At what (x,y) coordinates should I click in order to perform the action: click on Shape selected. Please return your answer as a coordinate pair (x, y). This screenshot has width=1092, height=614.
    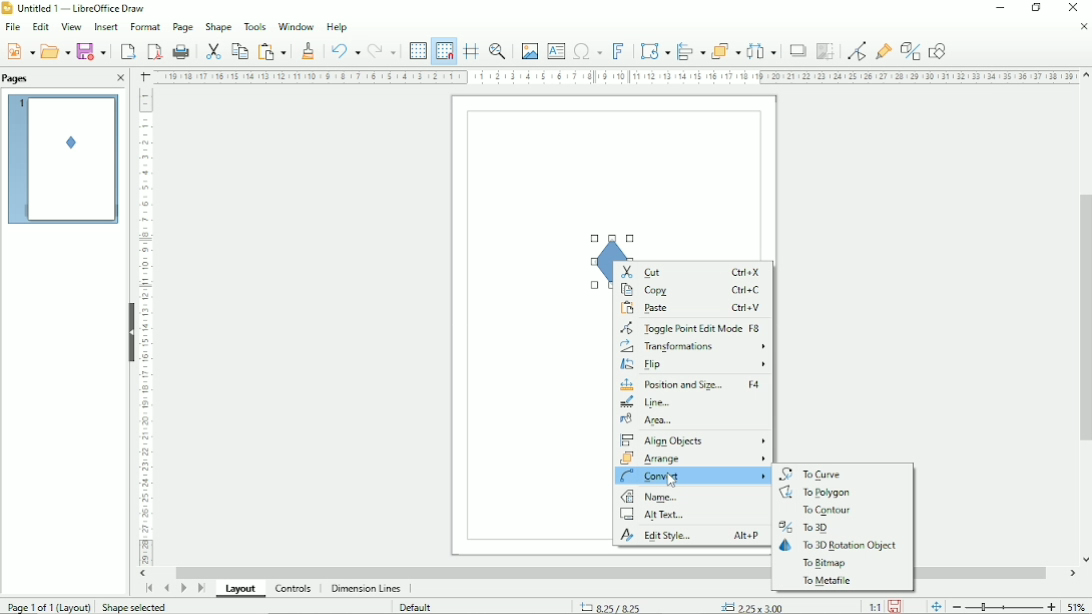
    Looking at the image, I should click on (133, 606).